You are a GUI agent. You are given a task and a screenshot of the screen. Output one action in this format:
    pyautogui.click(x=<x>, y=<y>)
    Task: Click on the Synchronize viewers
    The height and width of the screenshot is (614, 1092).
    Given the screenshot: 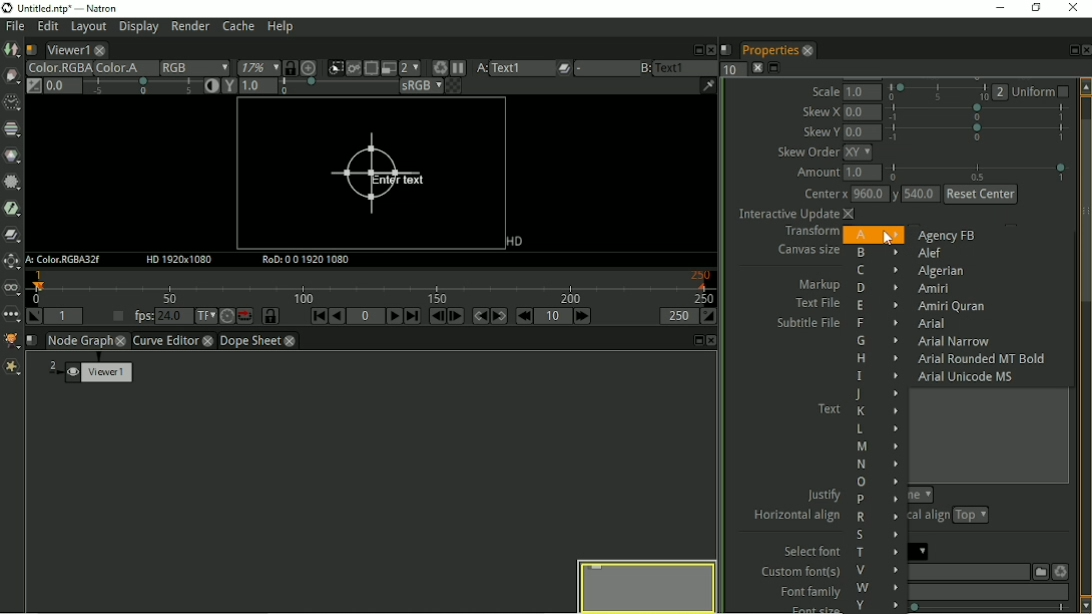 What is the action you would take?
    pyautogui.click(x=289, y=66)
    